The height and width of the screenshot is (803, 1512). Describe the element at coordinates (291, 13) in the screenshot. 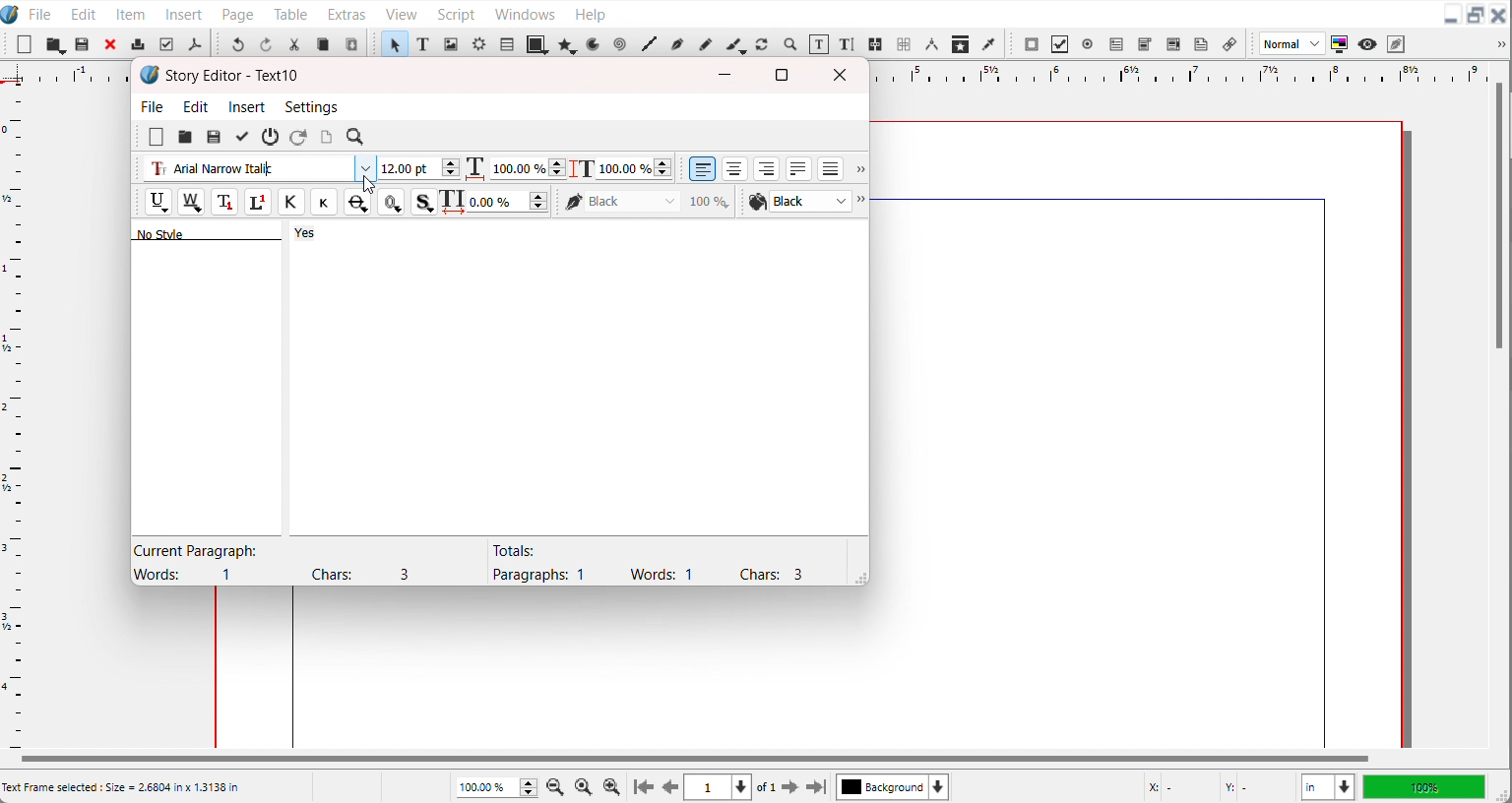

I see `Table` at that location.